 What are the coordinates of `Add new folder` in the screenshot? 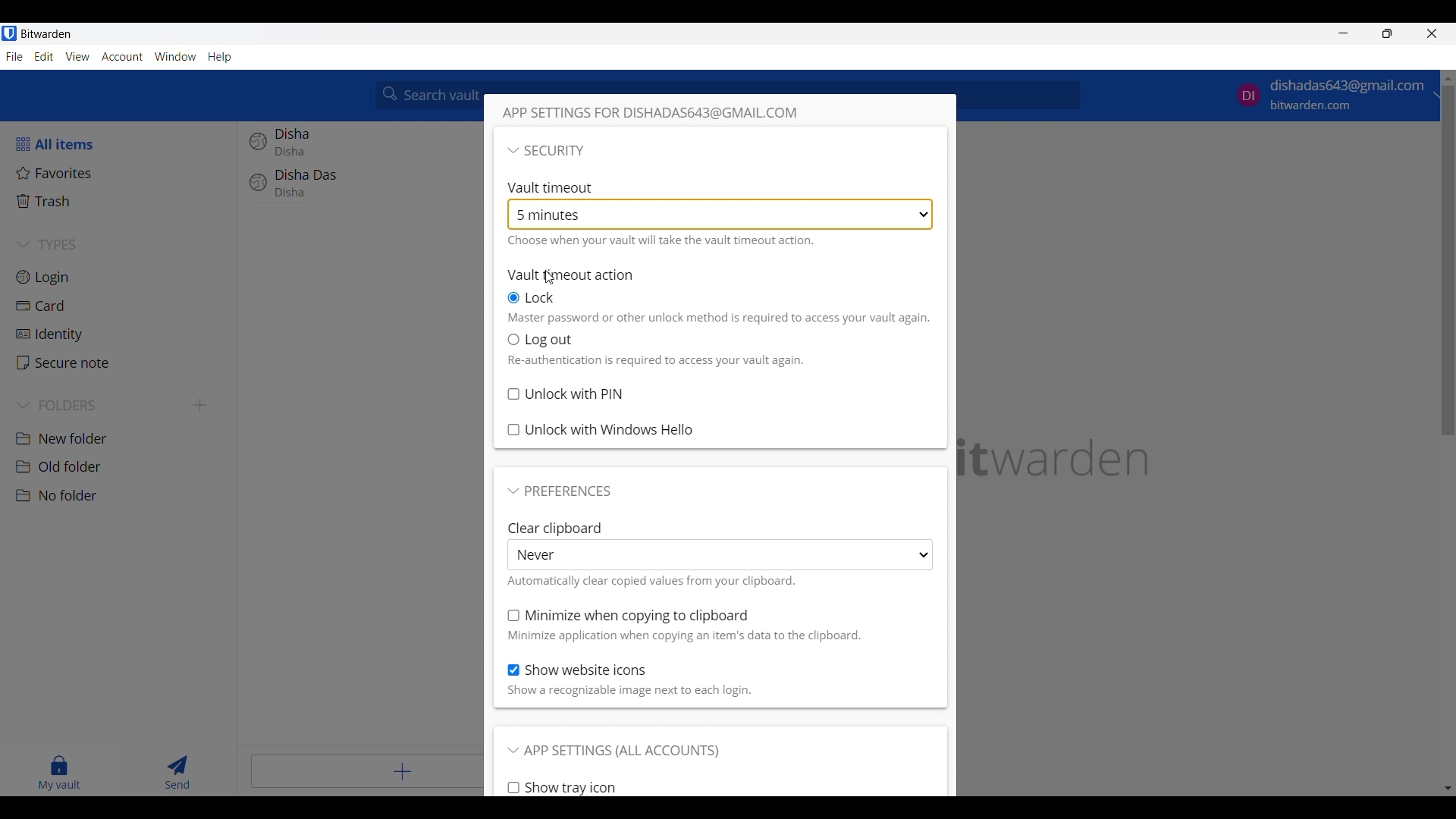 It's located at (200, 406).